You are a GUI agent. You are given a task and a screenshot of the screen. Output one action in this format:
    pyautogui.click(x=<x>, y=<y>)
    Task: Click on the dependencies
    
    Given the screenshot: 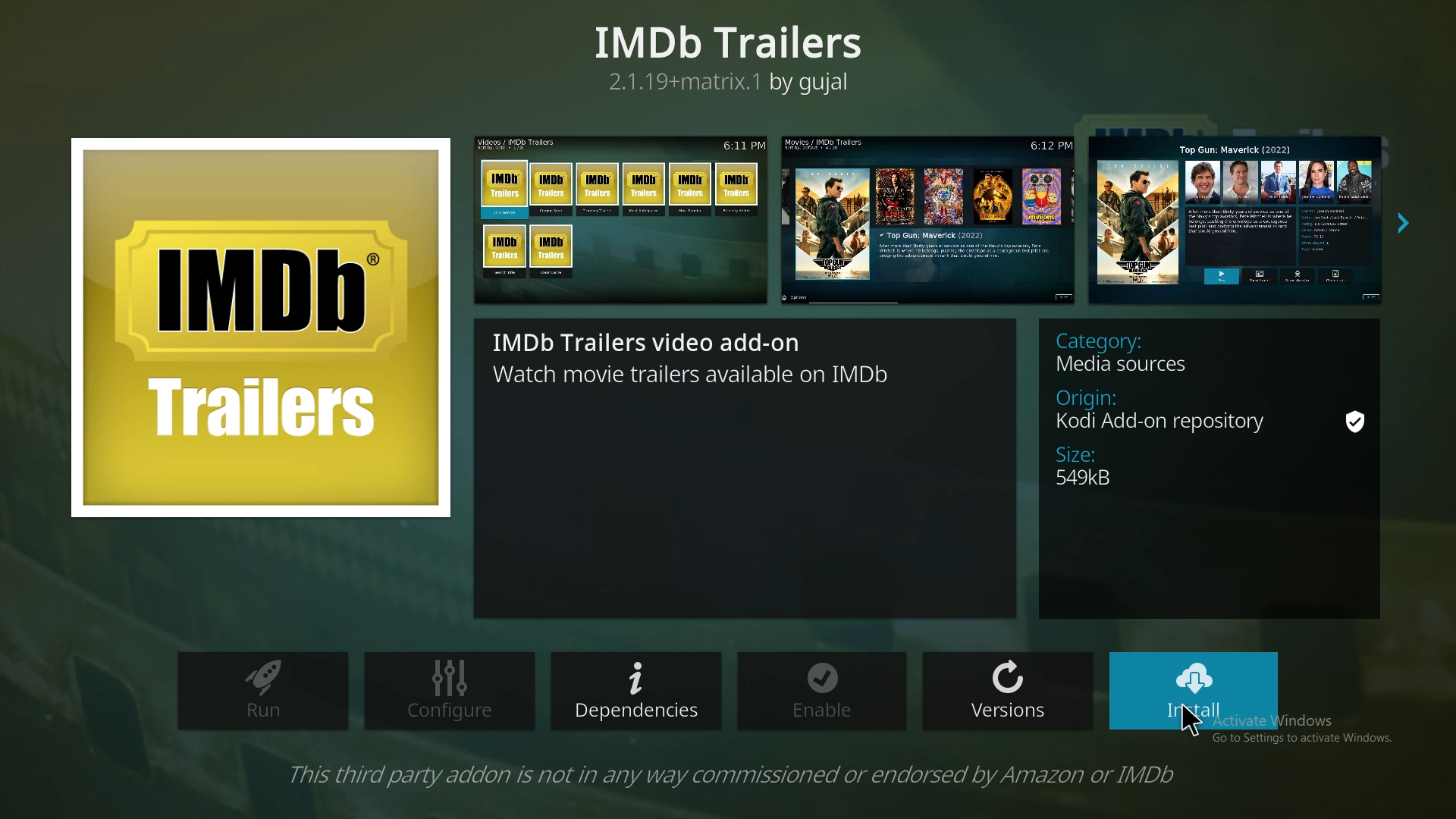 What is the action you would take?
    pyautogui.click(x=635, y=692)
    